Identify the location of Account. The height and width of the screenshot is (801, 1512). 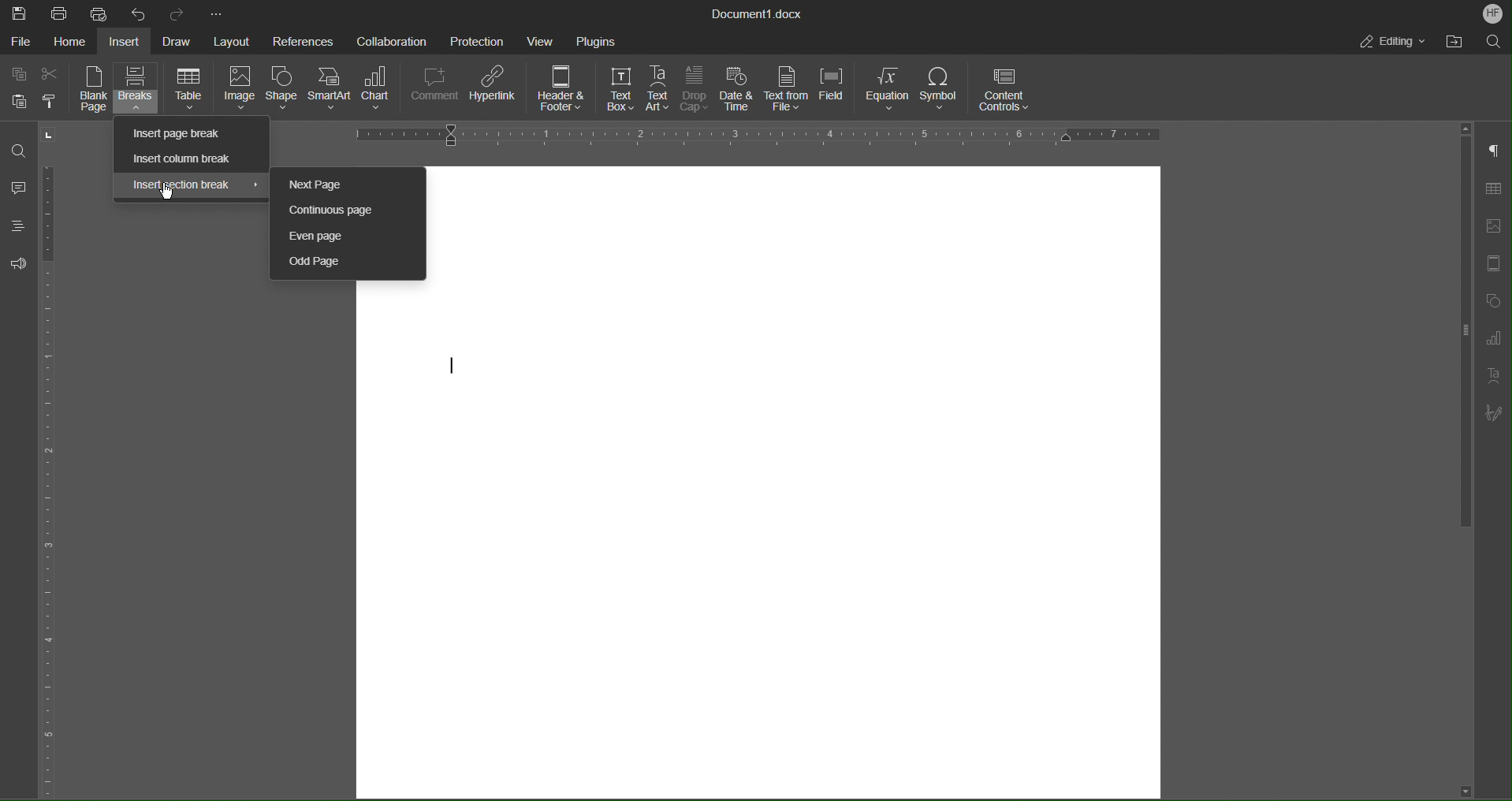
(1492, 14).